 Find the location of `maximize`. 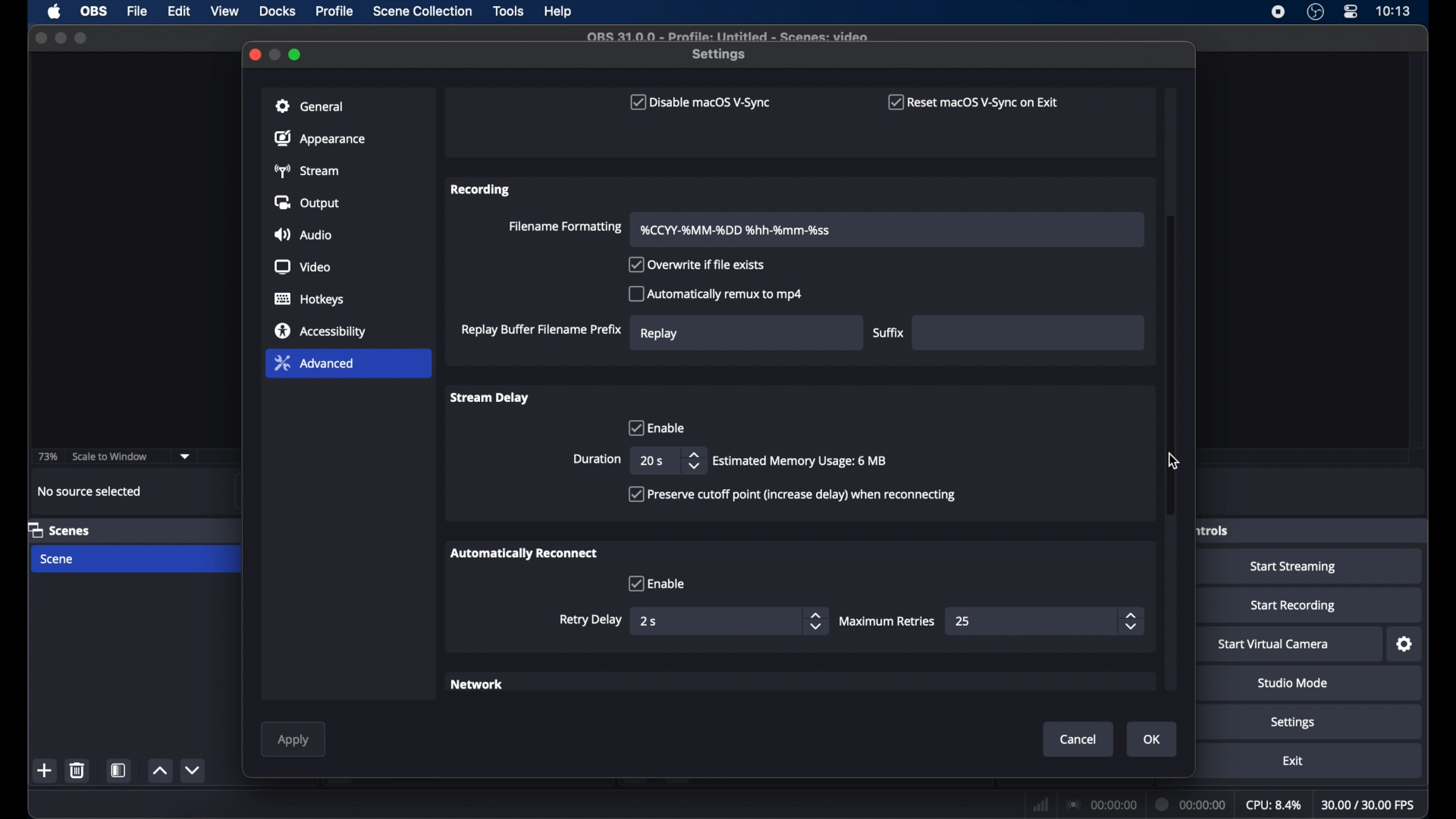

maximize is located at coordinates (83, 38).